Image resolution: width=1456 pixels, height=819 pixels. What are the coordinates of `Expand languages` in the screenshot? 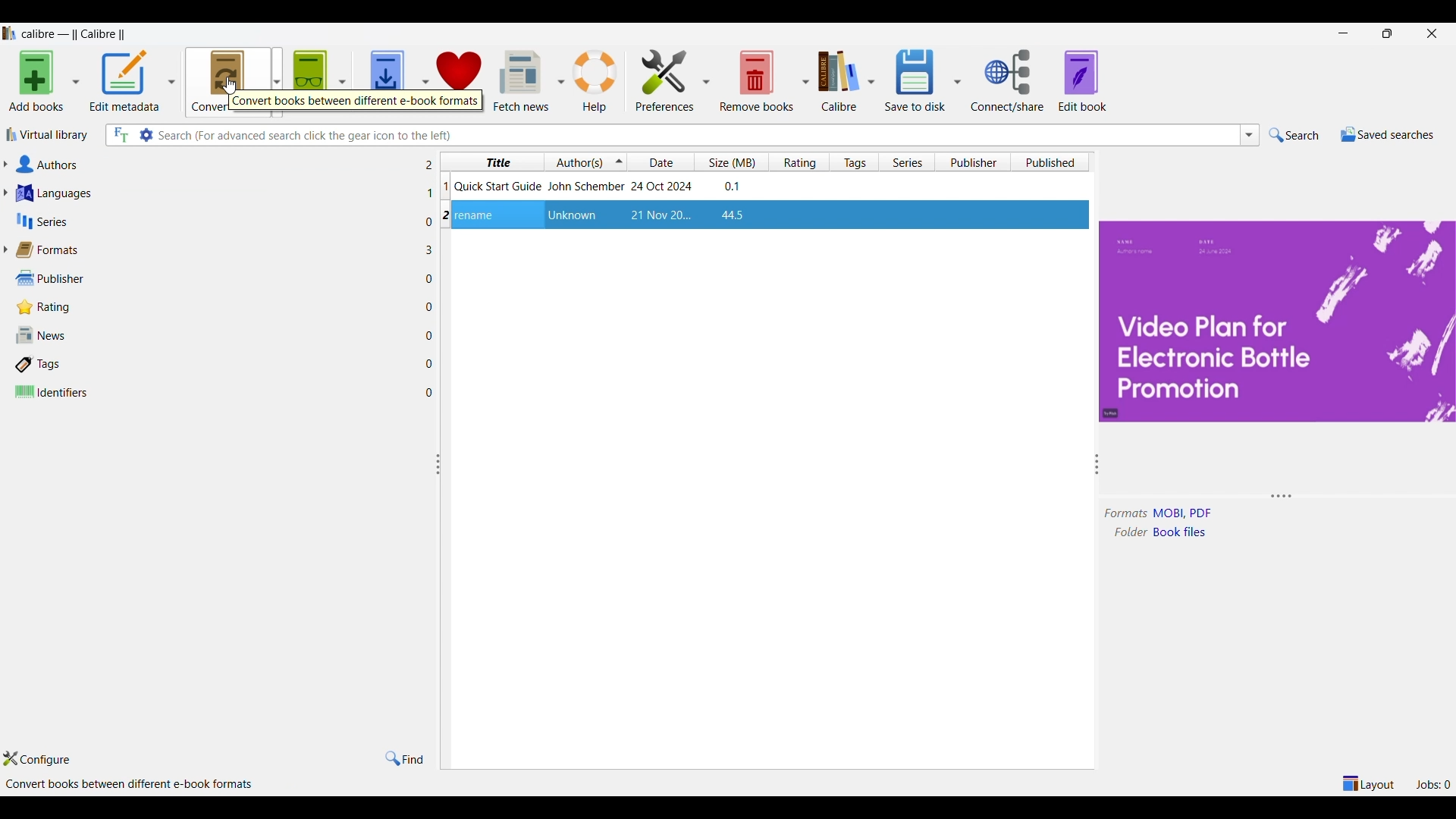 It's located at (5, 193).